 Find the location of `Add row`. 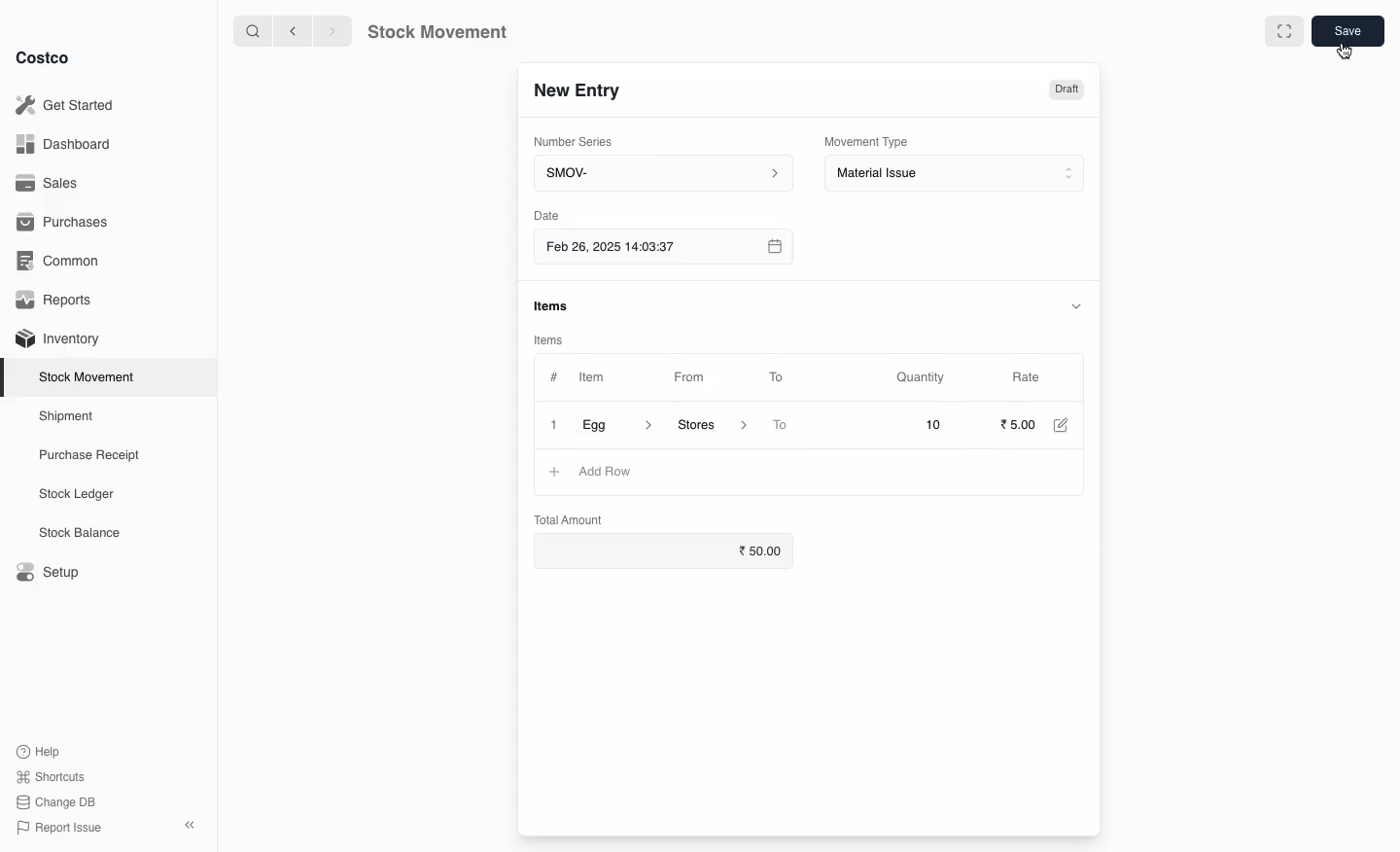

Add row is located at coordinates (604, 472).